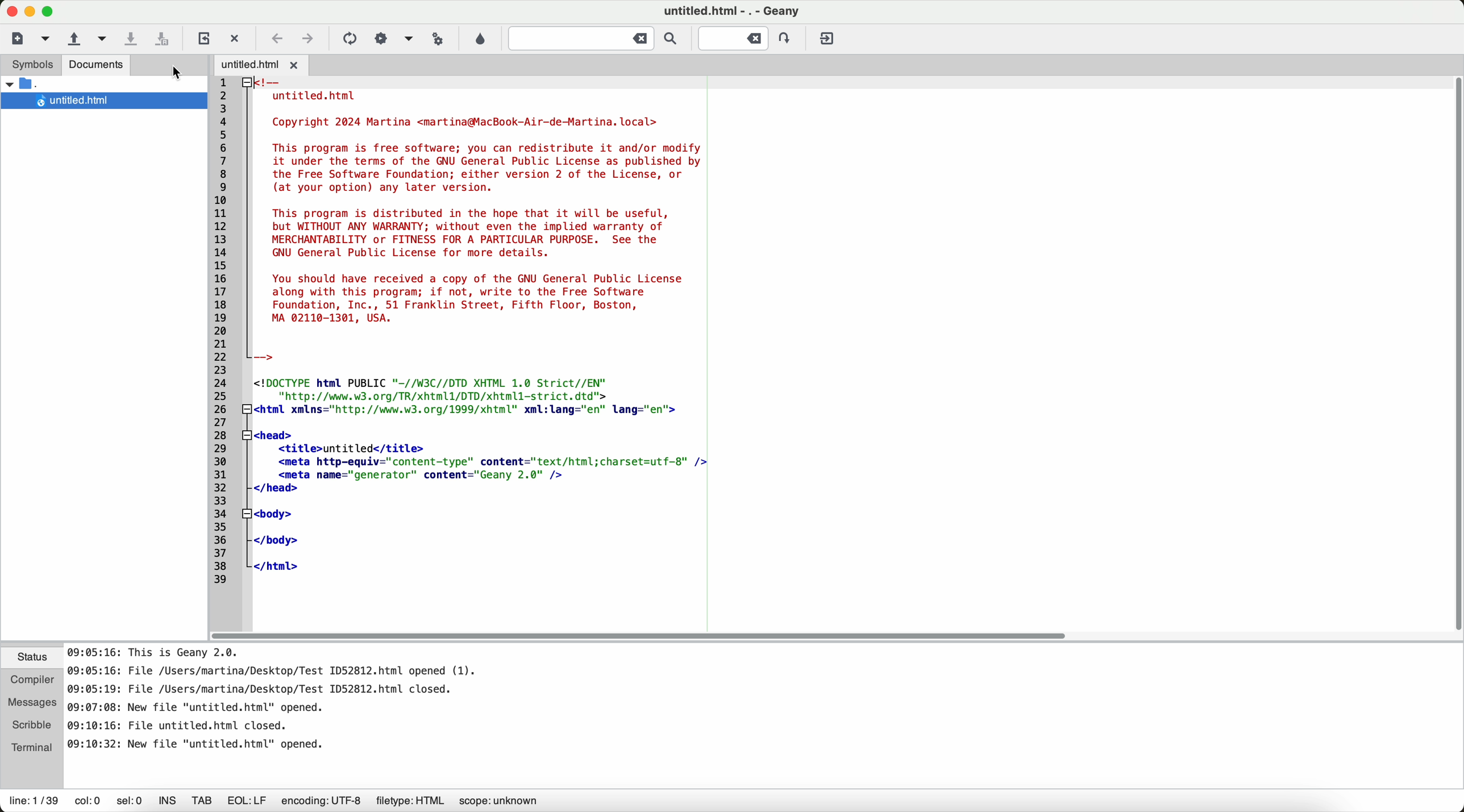 Image resolution: width=1464 pixels, height=812 pixels. I want to click on color, so click(479, 38).